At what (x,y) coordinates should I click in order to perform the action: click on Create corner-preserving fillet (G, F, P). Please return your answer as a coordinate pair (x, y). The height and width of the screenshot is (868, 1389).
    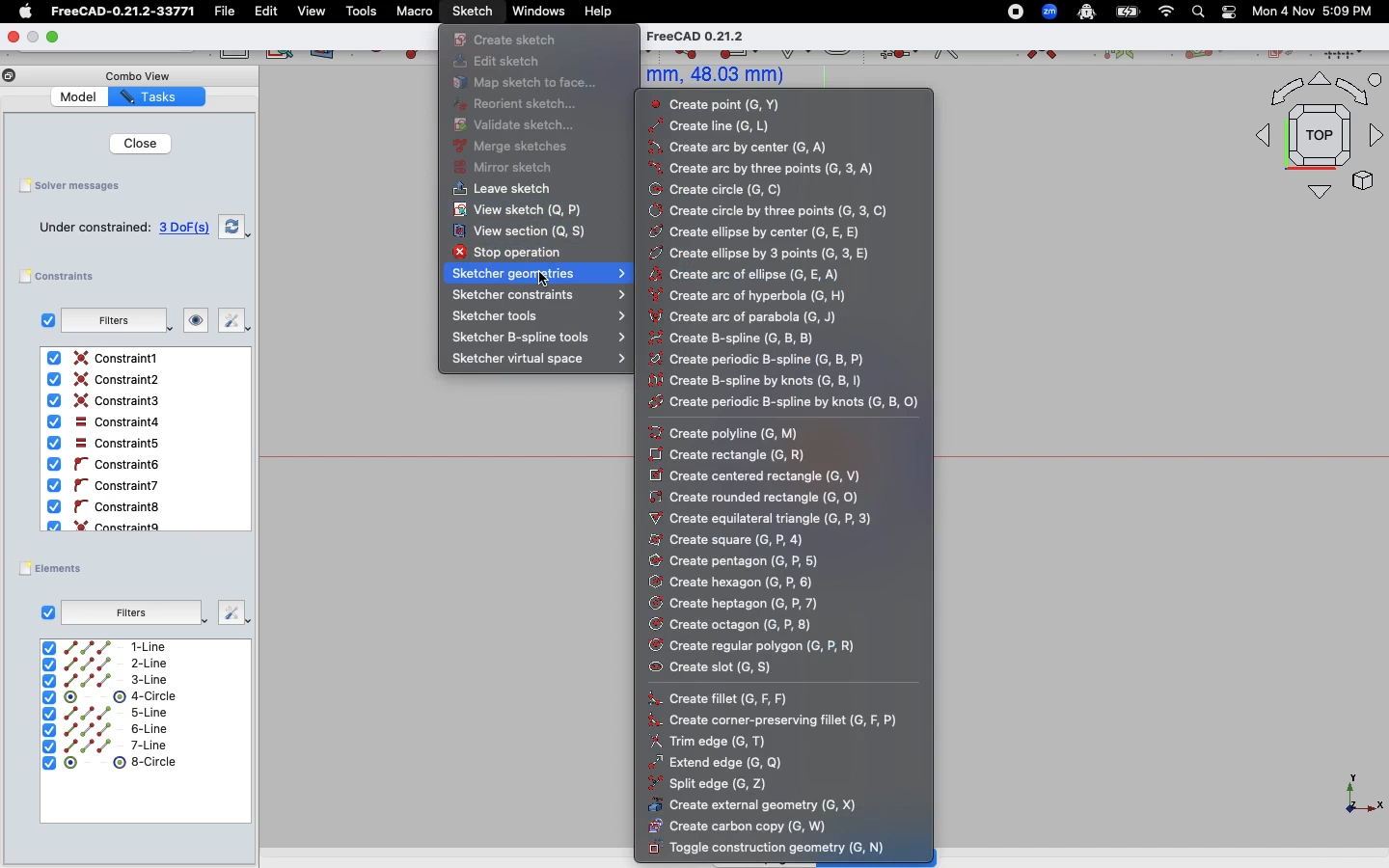
    Looking at the image, I should click on (779, 719).